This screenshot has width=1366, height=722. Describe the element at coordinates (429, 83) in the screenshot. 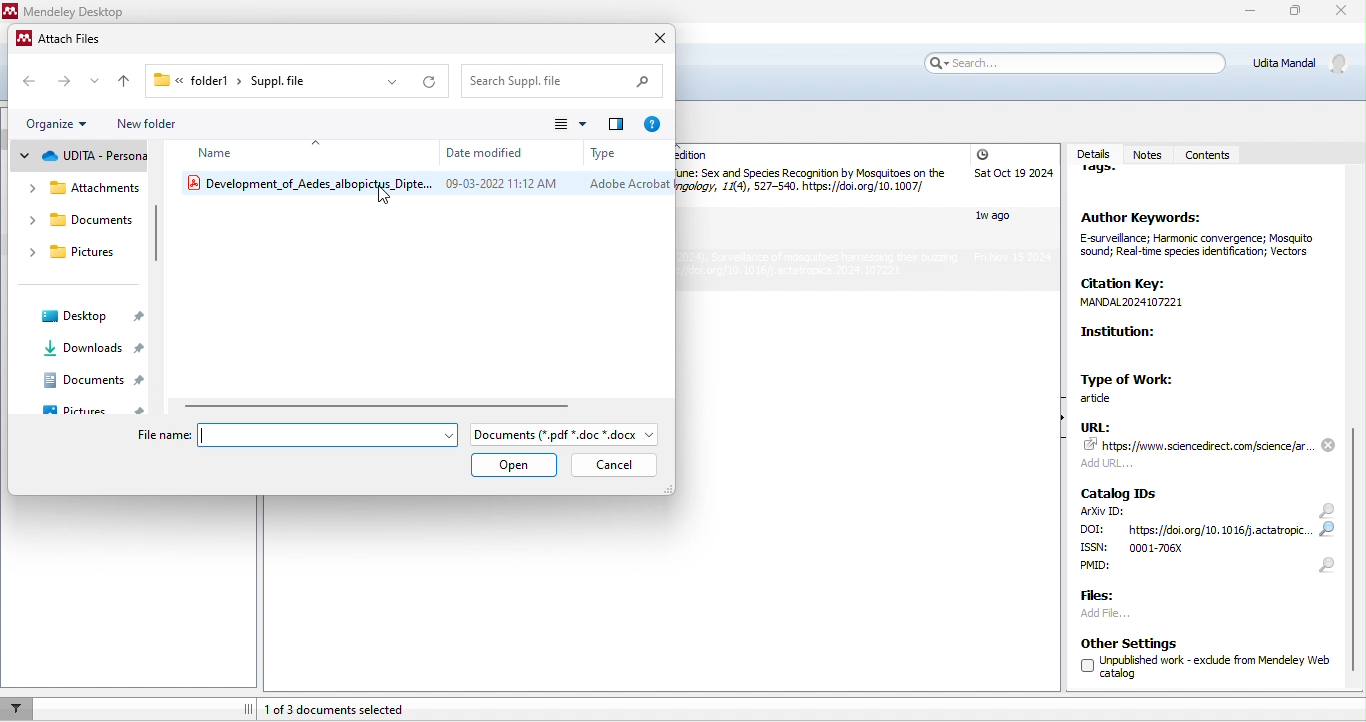

I see `refresh` at that location.